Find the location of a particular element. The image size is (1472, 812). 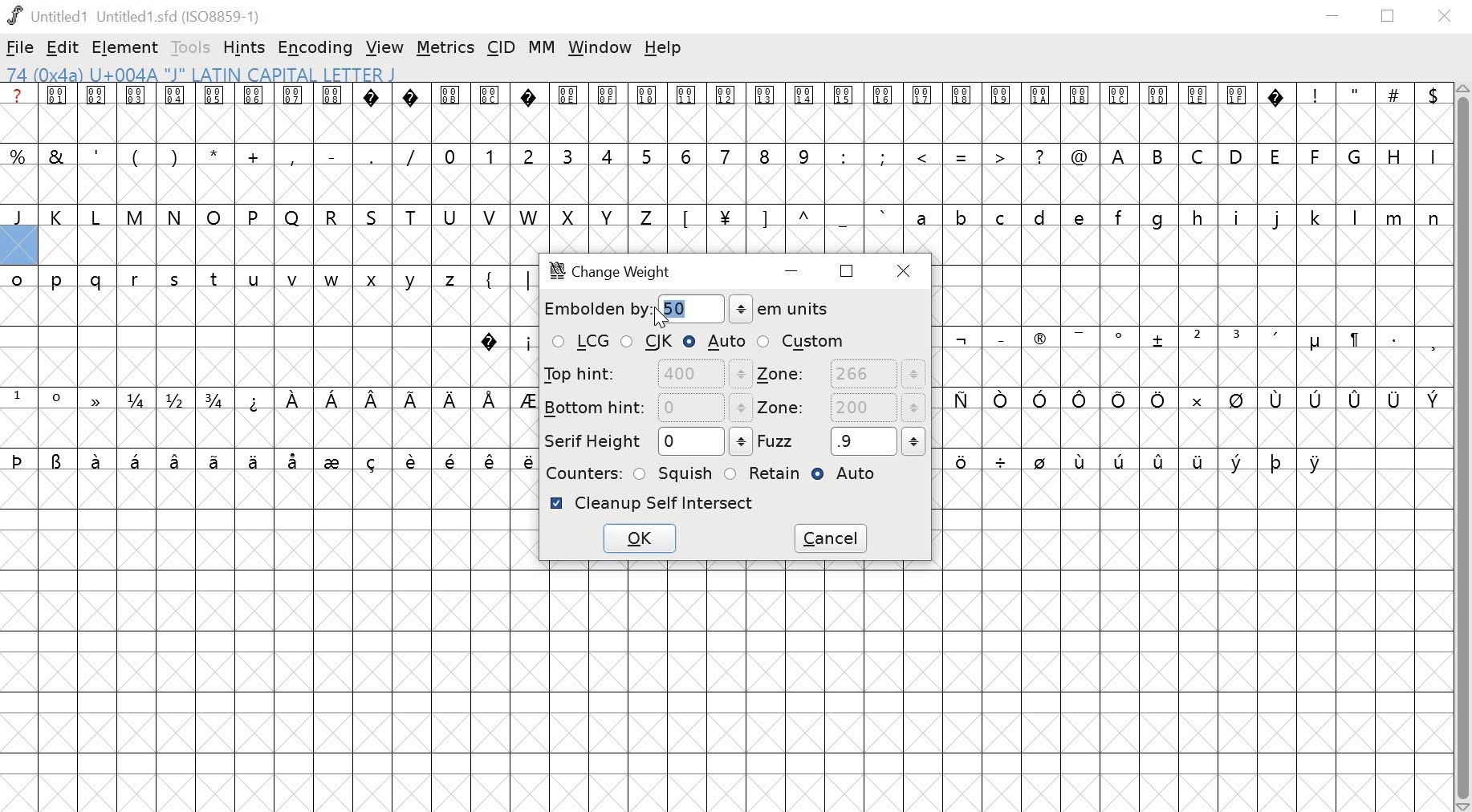

TOOLS is located at coordinates (193, 47).